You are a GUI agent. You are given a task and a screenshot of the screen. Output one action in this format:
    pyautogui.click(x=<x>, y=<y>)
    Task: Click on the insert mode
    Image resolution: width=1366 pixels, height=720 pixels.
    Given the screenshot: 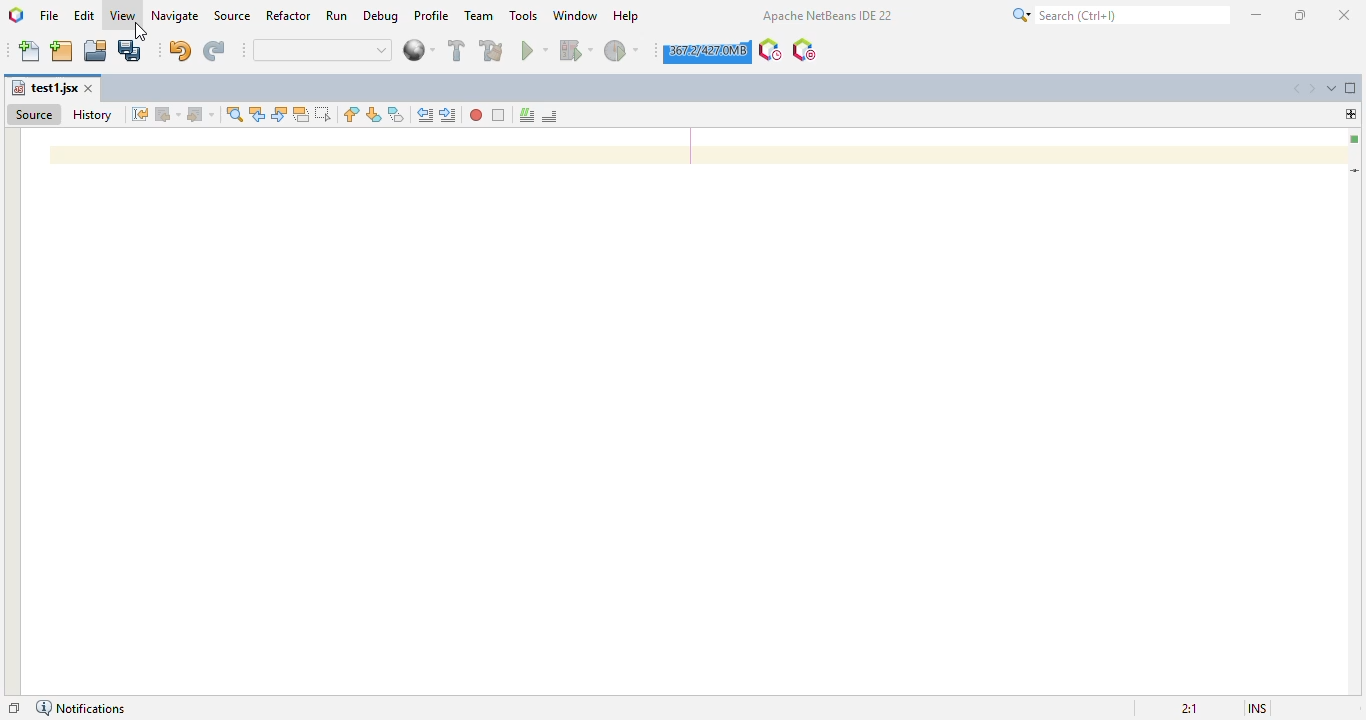 What is the action you would take?
    pyautogui.click(x=1258, y=708)
    